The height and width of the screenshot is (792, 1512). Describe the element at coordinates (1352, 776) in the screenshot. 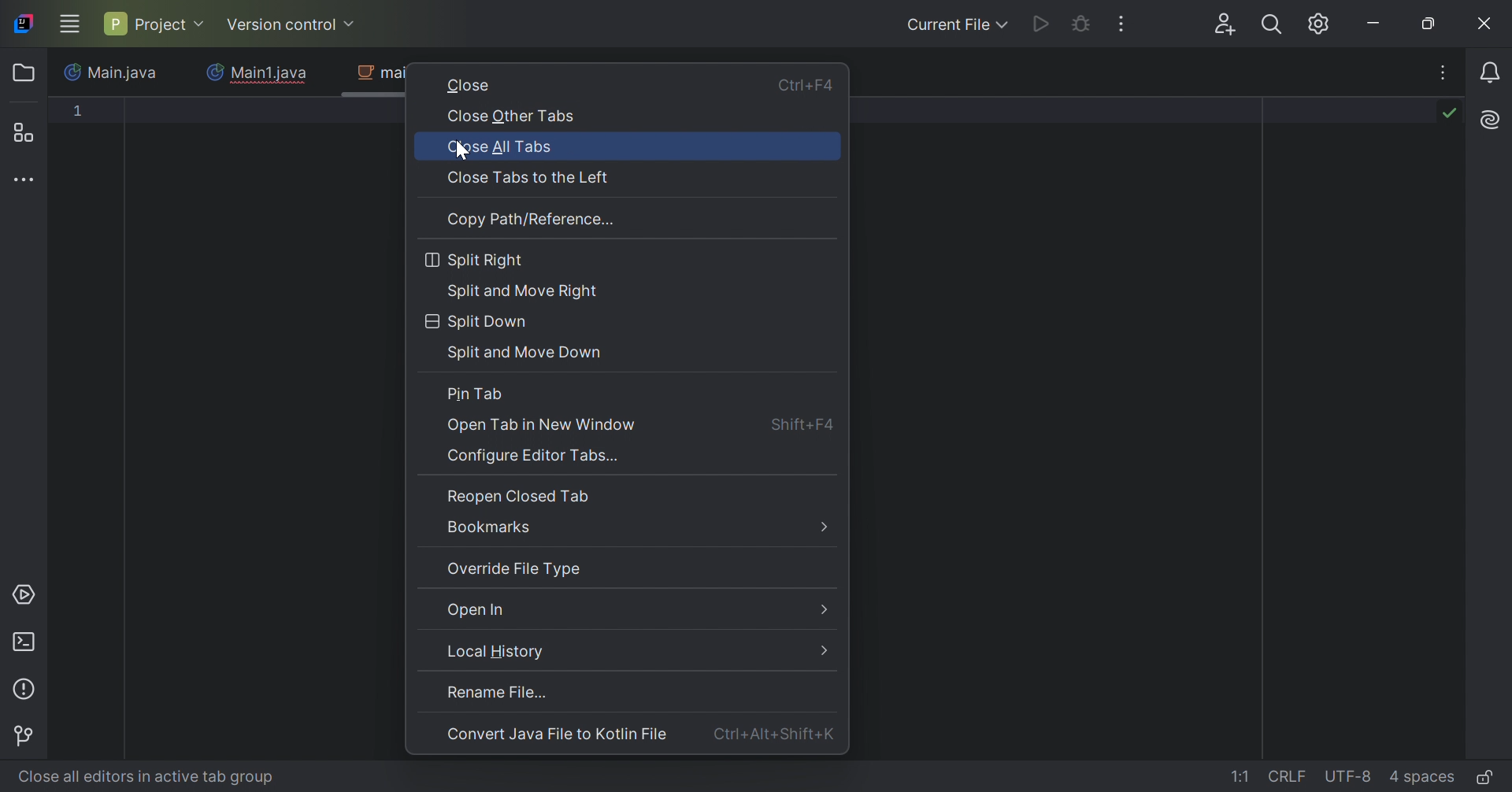

I see `UTF-8` at that location.